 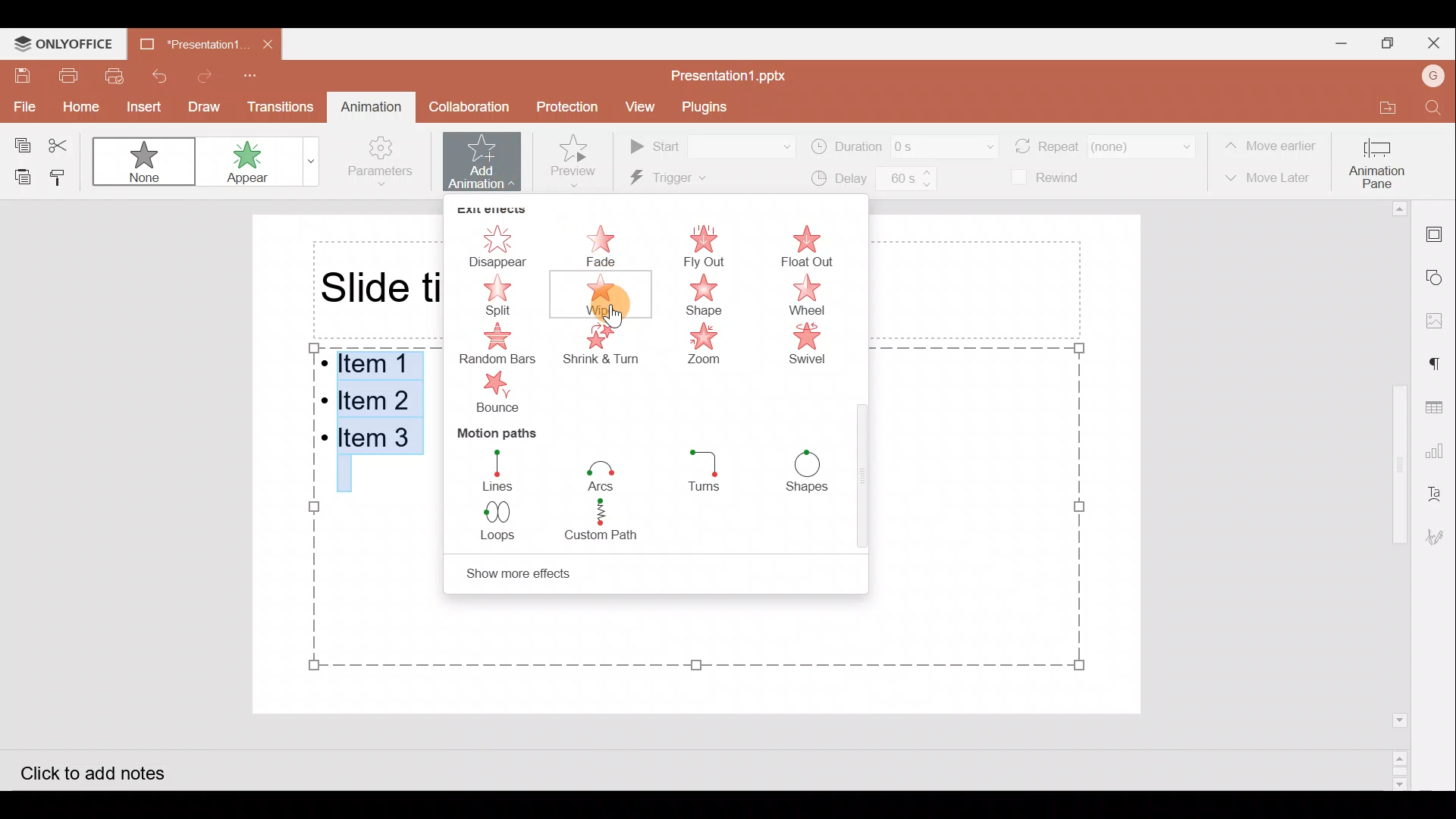 I want to click on Text Art settings, so click(x=1441, y=490).